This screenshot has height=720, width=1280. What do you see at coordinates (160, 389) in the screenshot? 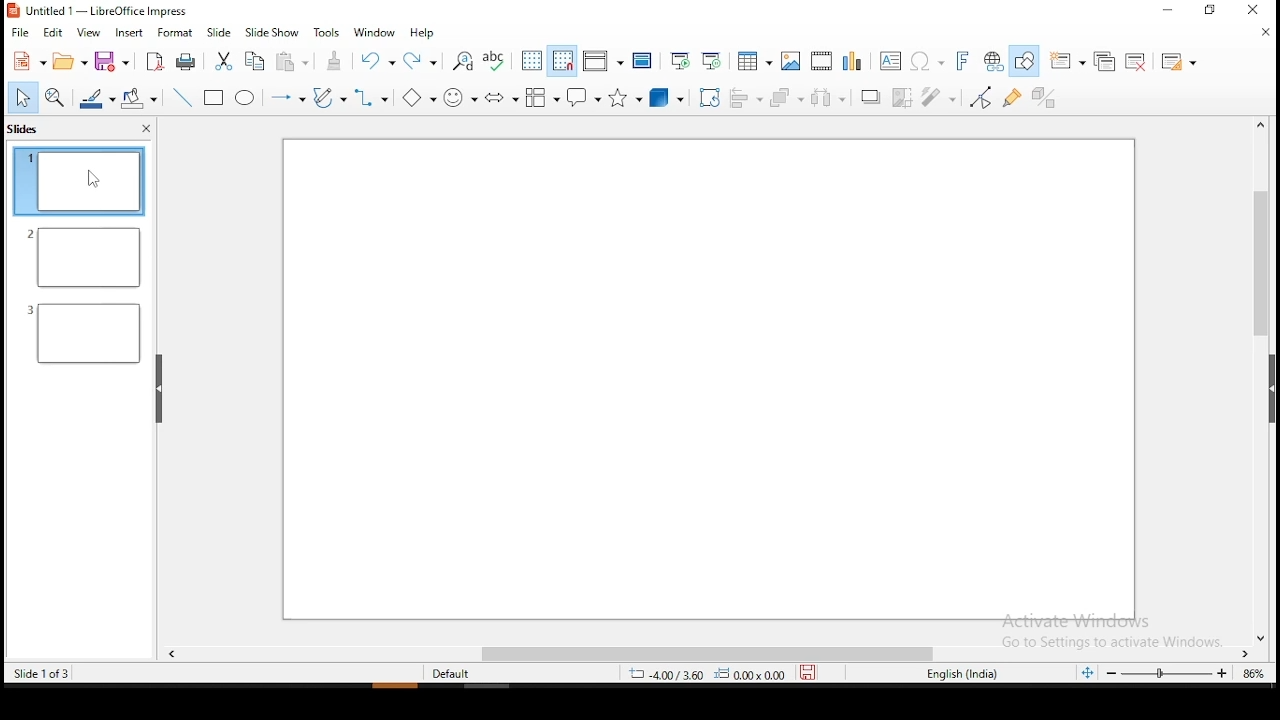
I see `drag handle` at bounding box center [160, 389].